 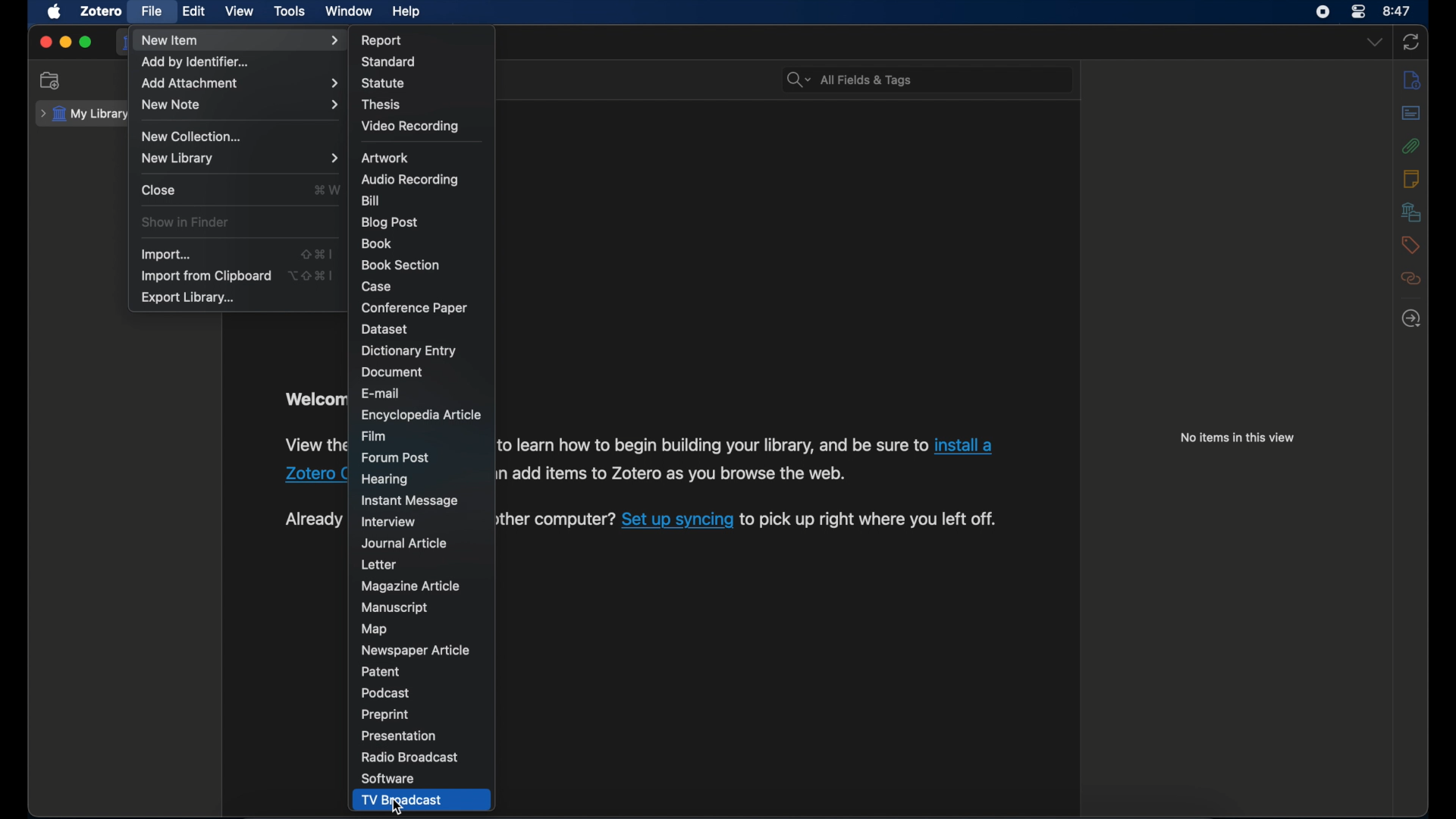 I want to click on shortcut, so click(x=311, y=276).